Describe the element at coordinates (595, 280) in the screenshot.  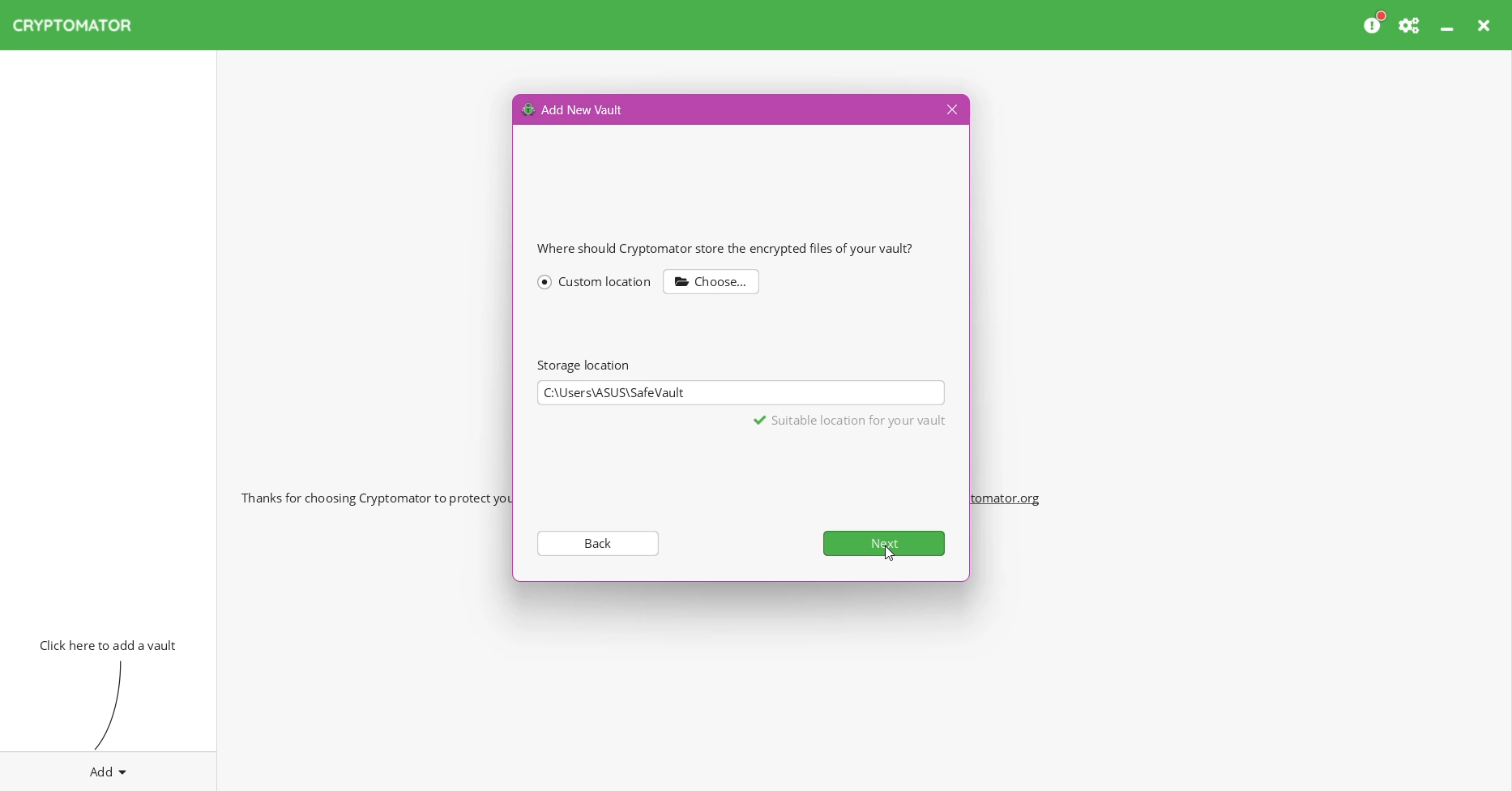
I see `Select Custom location` at that location.